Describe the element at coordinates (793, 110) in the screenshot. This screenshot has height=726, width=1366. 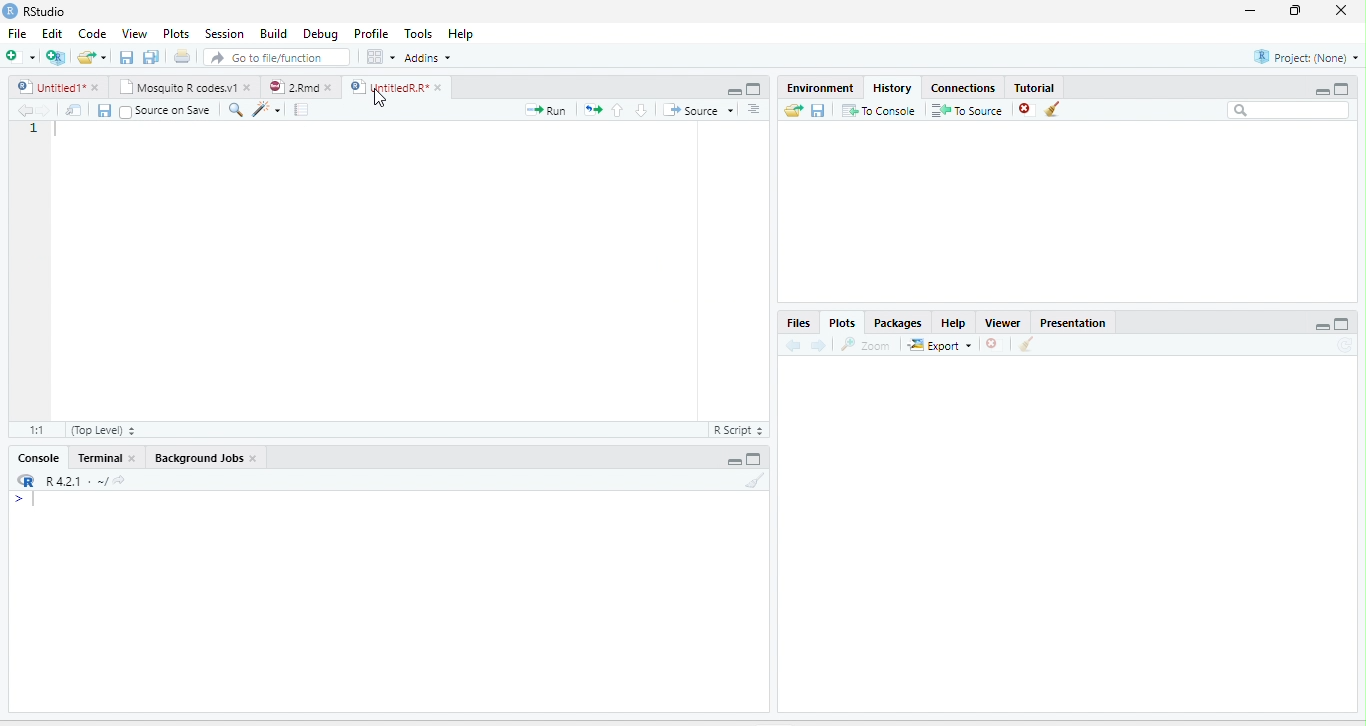
I see `Load history from an existing file` at that location.